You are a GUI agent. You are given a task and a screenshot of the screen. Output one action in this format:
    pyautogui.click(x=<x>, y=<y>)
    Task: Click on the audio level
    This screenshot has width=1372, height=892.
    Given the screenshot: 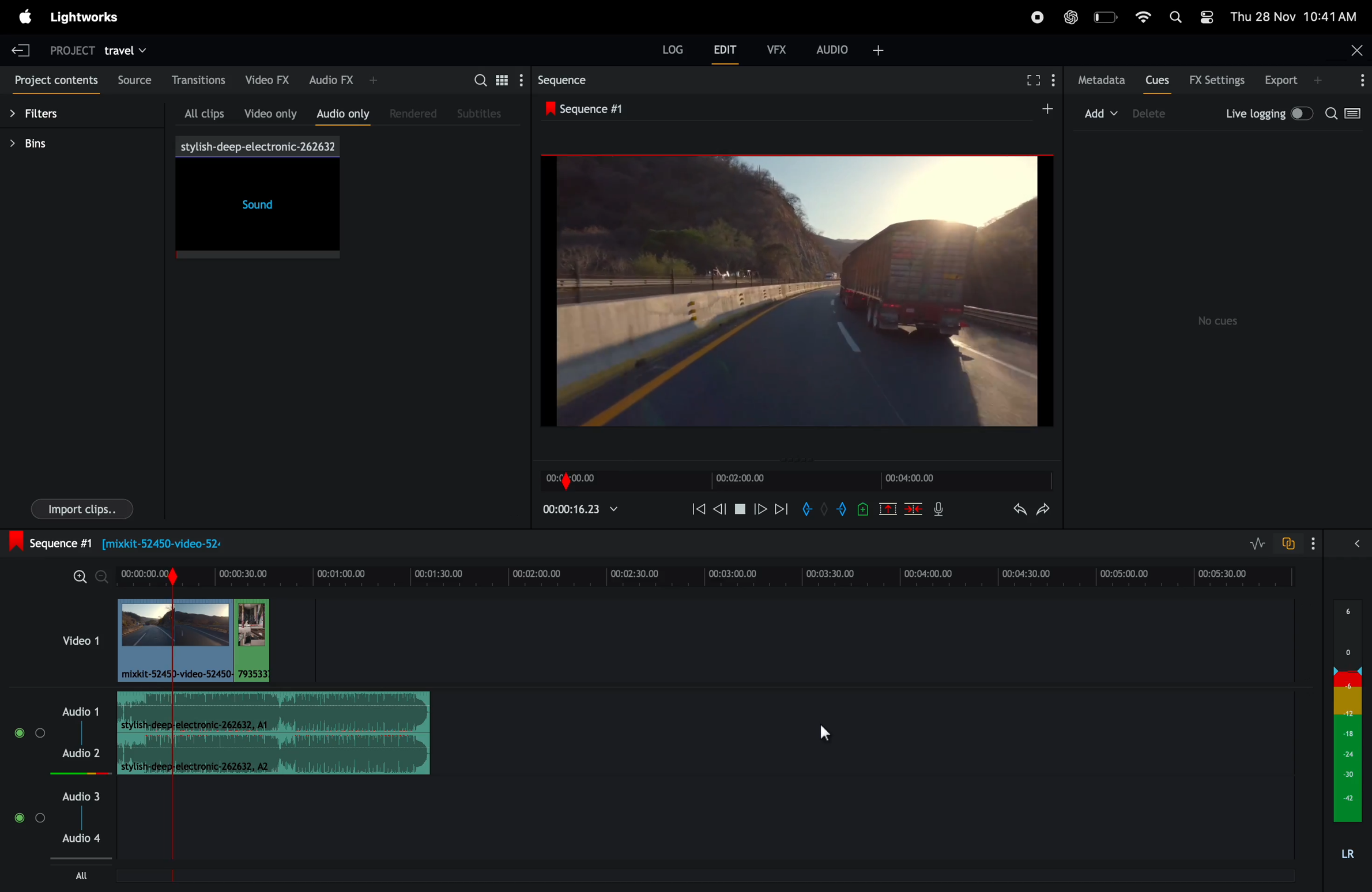 What is the action you would take?
    pyautogui.click(x=1350, y=729)
    